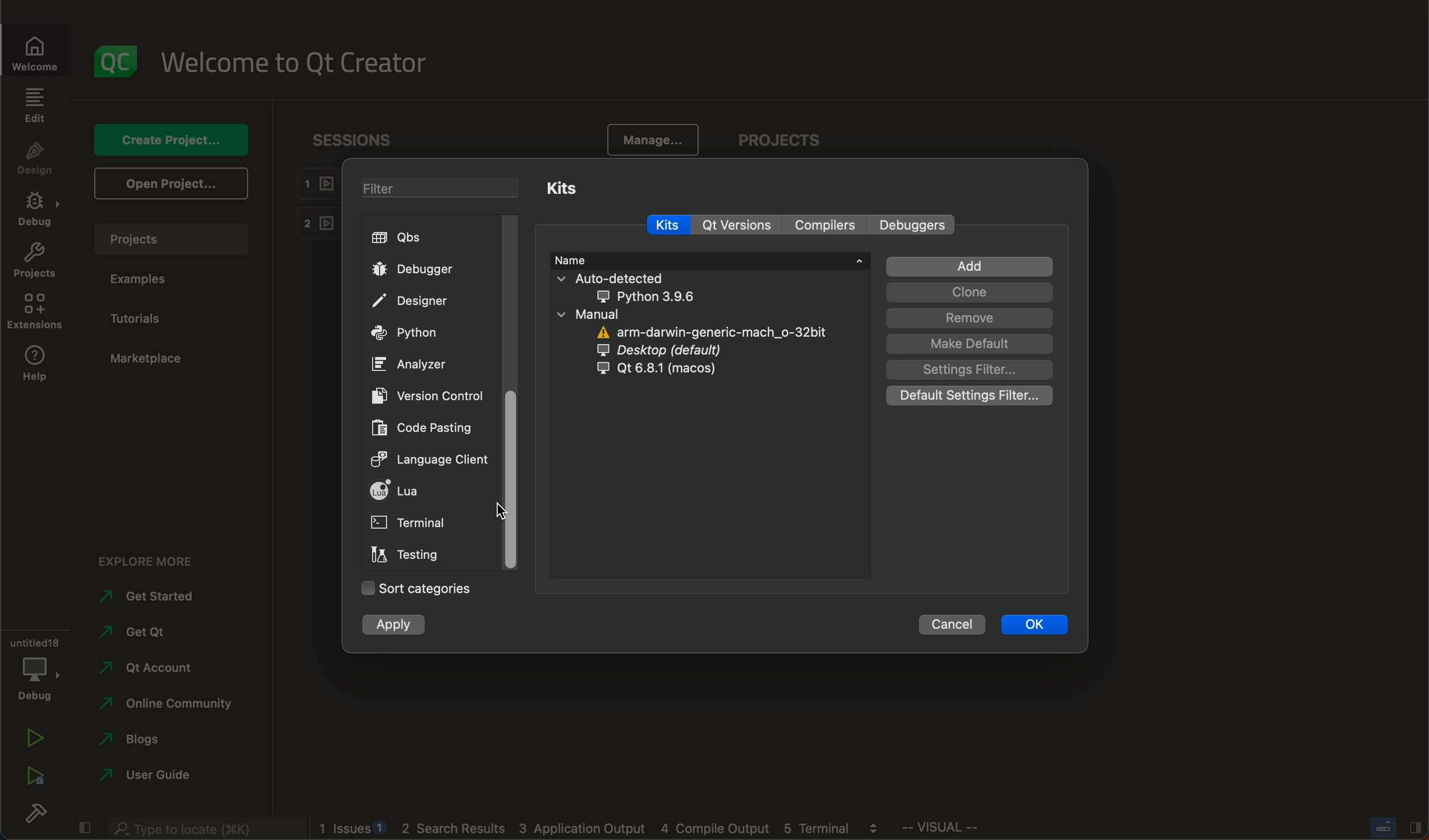 This screenshot has height=840, width=1429. What do you see at coordinates (407, 627) in the screenshot?
I see `apply` at bounding box center [407, 627].